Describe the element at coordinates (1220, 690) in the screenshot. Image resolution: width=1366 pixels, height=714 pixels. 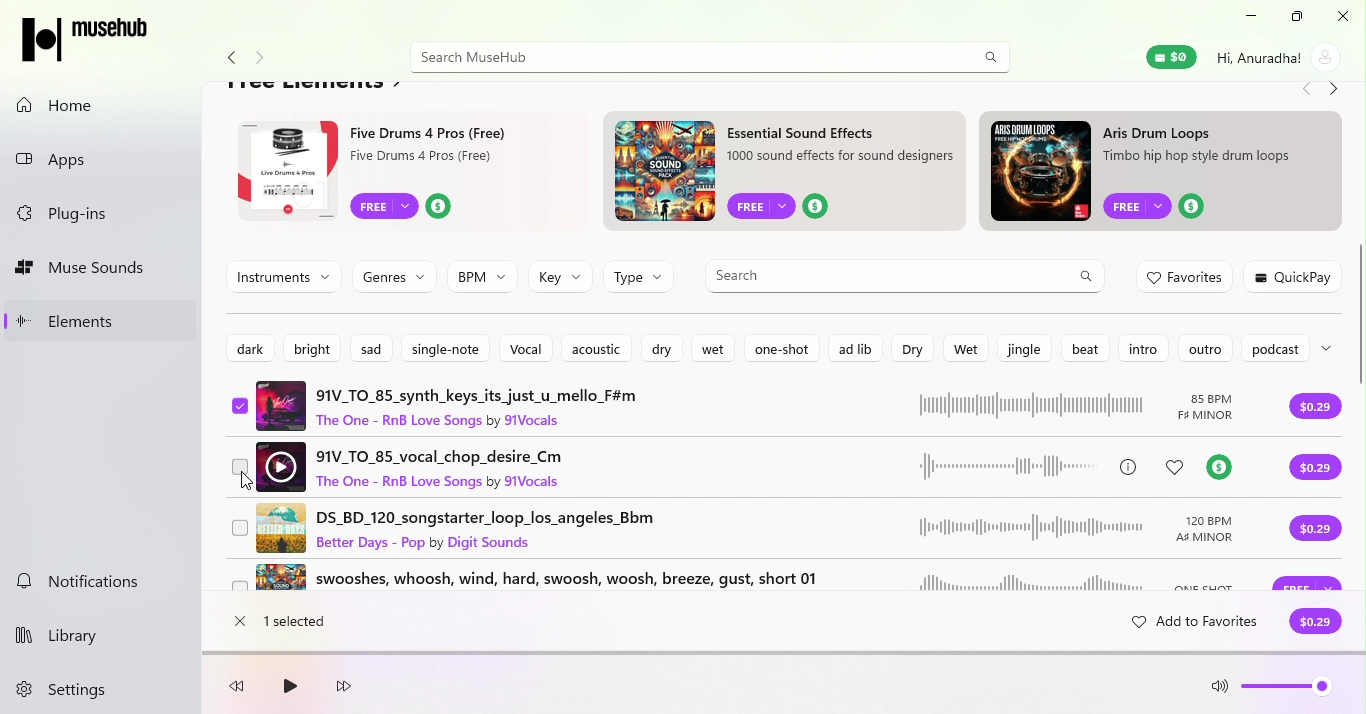
I see `Mute` at that location.